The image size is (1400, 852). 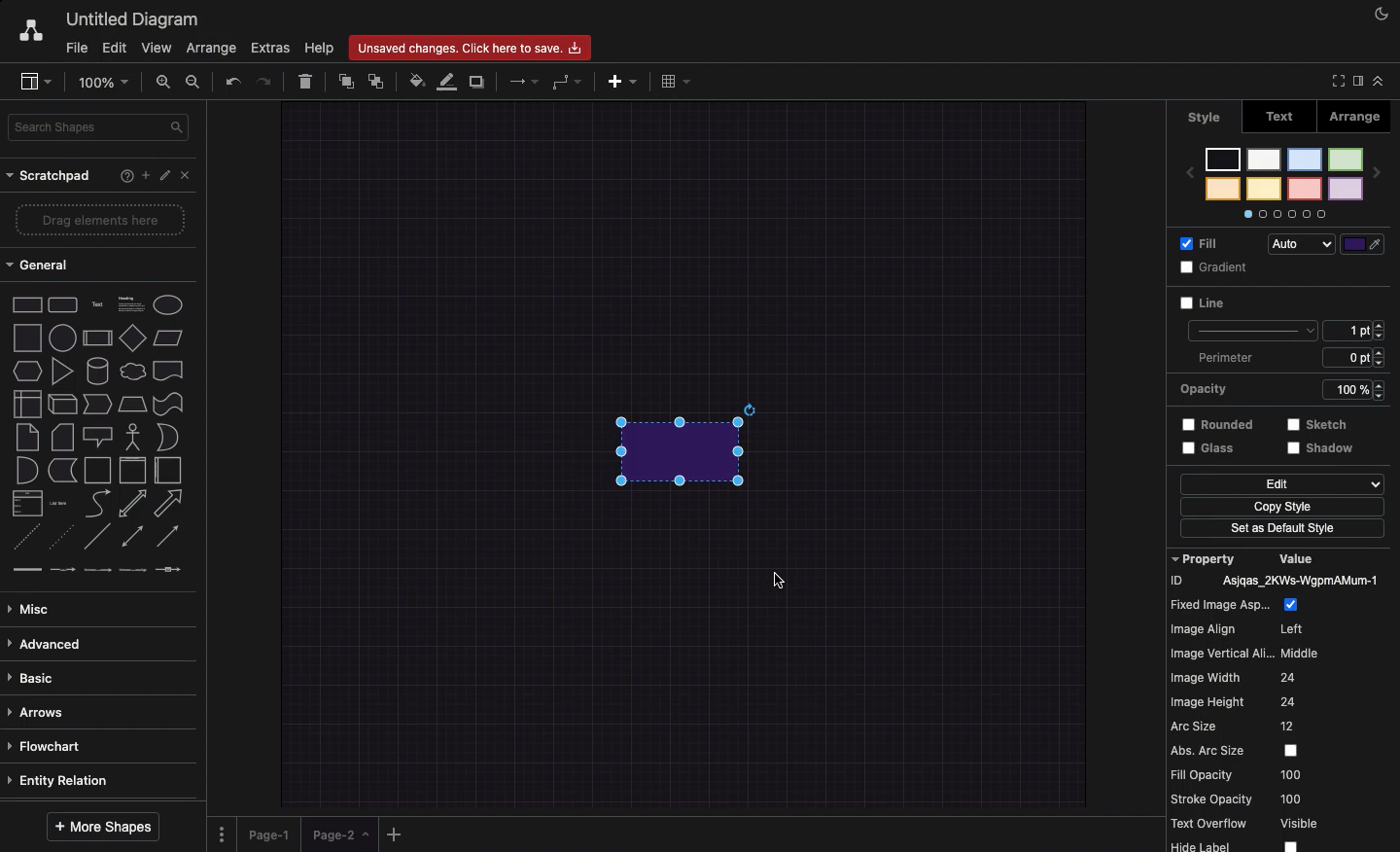 I want to click on Glass, so click(x=1213, y=449).